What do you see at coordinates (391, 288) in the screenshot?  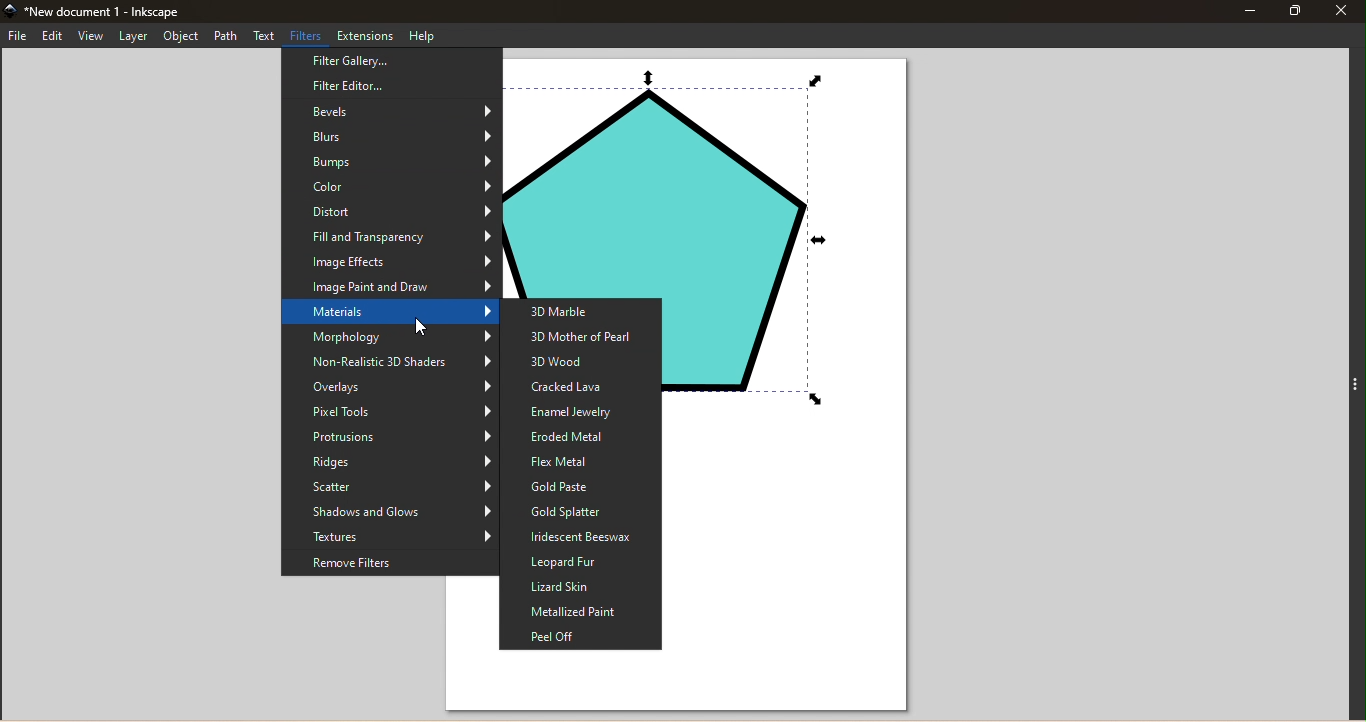 I see `Image Paint and Draw` at bounding box center [391, 288].